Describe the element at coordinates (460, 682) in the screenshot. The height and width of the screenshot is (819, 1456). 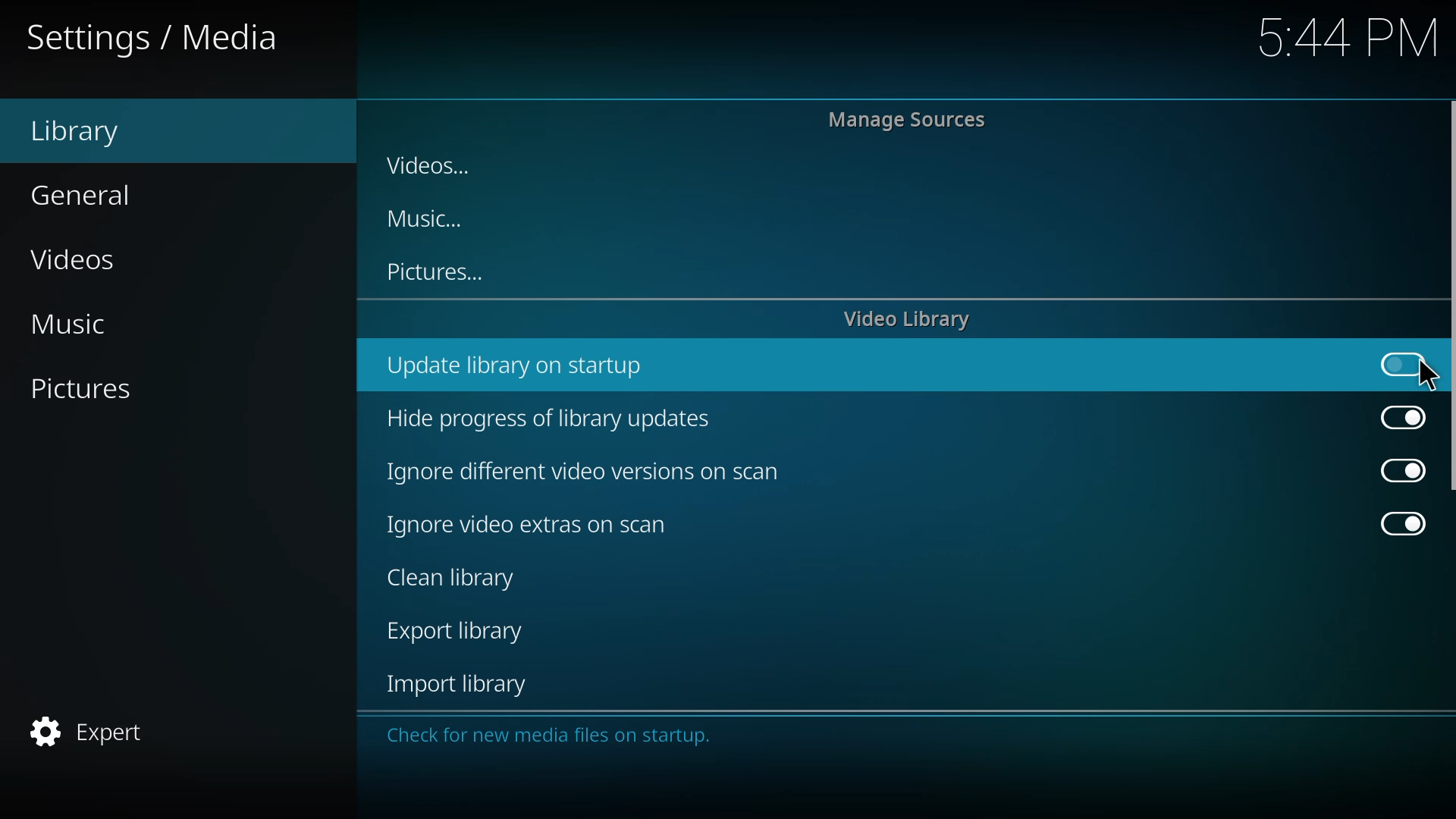
I see `import library` at that location.